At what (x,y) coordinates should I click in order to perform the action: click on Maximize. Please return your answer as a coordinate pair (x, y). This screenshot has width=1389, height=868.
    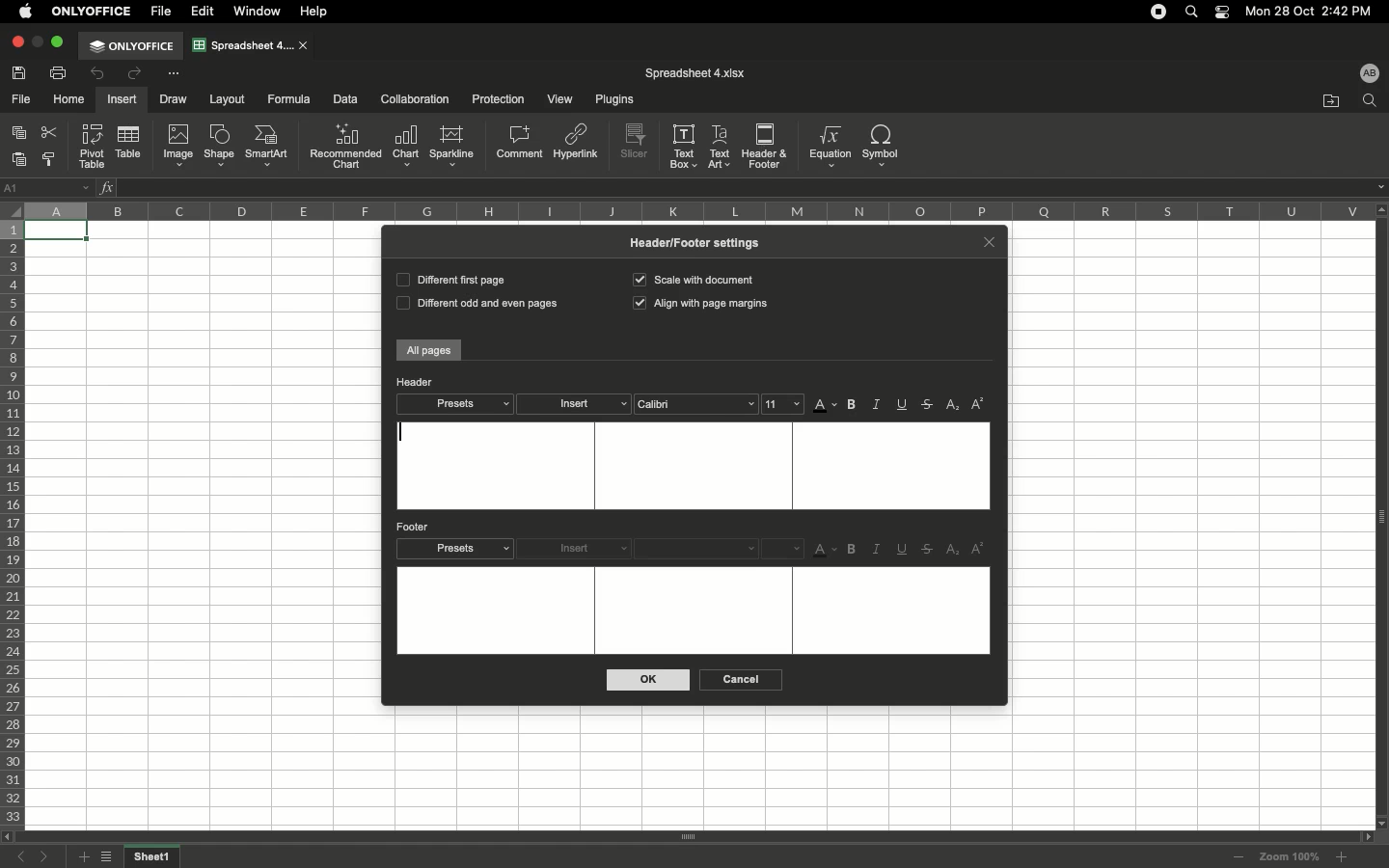
    Looking at the image, I should click on (60, 41).